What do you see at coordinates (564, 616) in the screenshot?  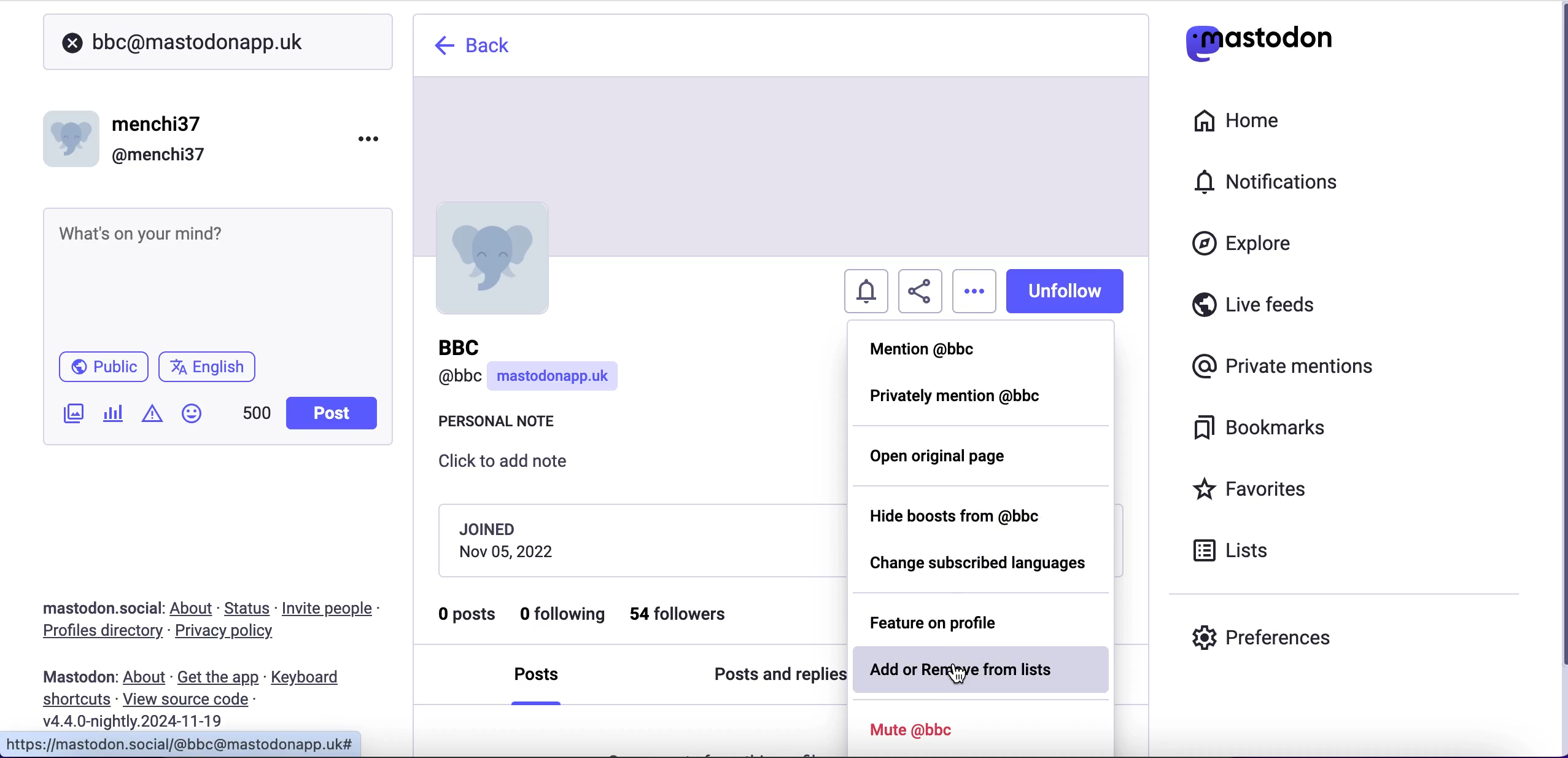 I see `0 following` at bounding box center [564, 616].